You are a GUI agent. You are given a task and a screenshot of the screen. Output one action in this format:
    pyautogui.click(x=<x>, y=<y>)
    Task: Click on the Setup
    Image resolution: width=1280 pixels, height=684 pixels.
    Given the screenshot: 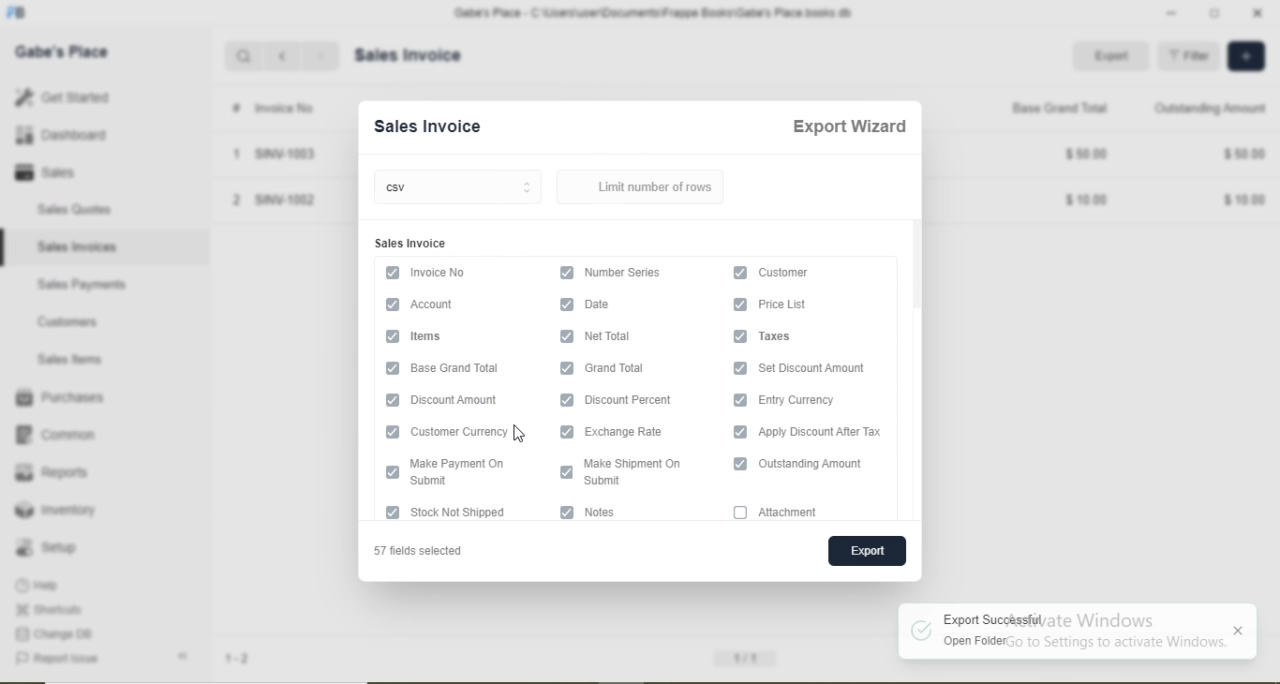 What is the action you would take?
    pyautogui.click(x=54, y=547)
    